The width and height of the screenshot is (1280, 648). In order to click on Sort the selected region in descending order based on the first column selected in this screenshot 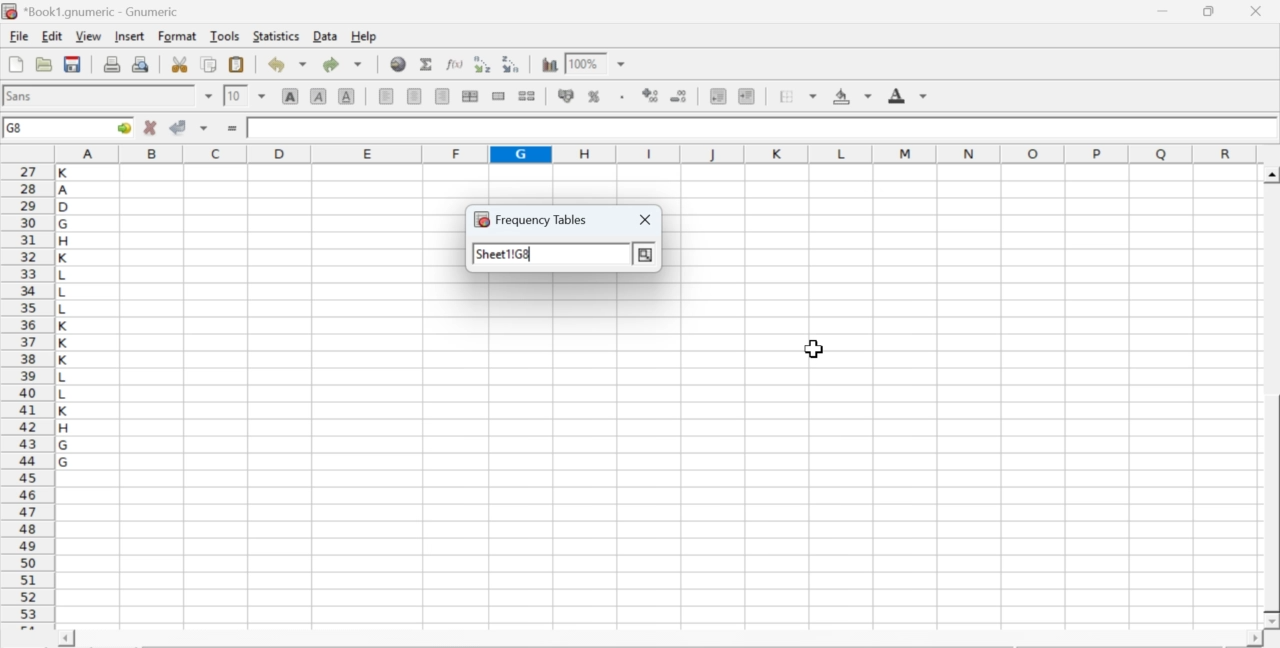, I will do `click(512, 62)`.